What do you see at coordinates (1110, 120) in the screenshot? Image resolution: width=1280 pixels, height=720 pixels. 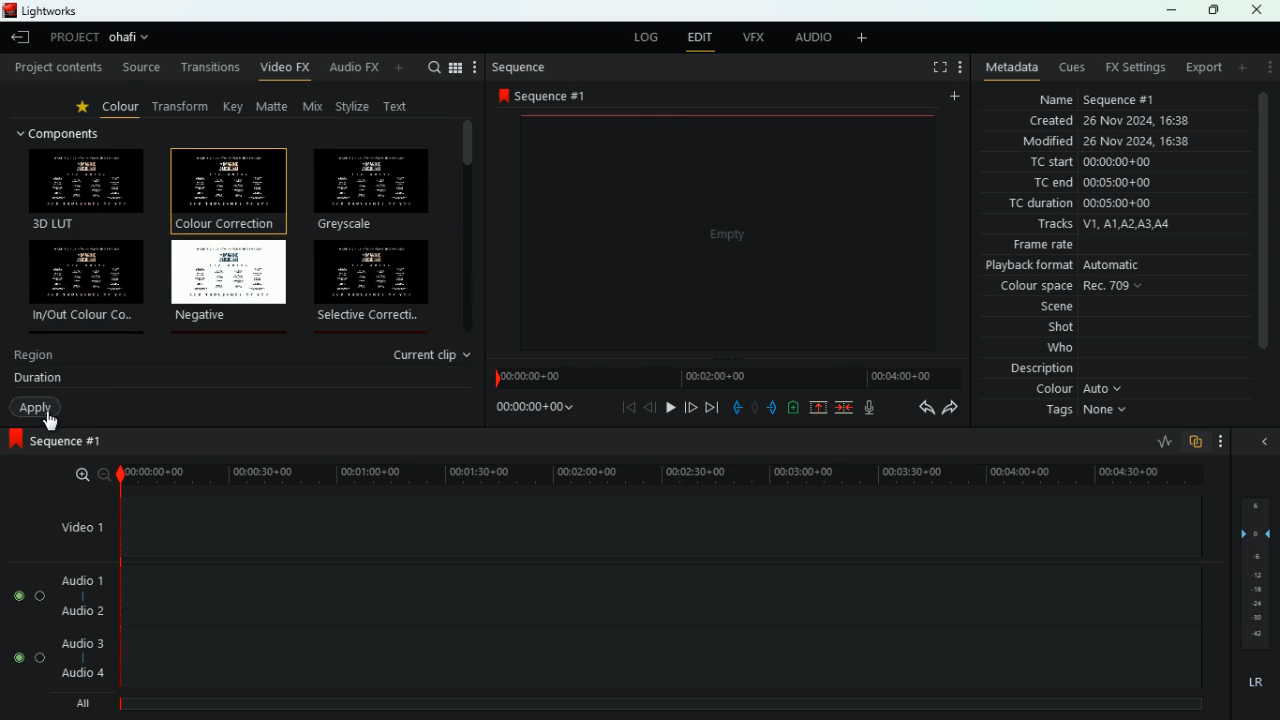 I see `created` at bounding box center [1110, 120].